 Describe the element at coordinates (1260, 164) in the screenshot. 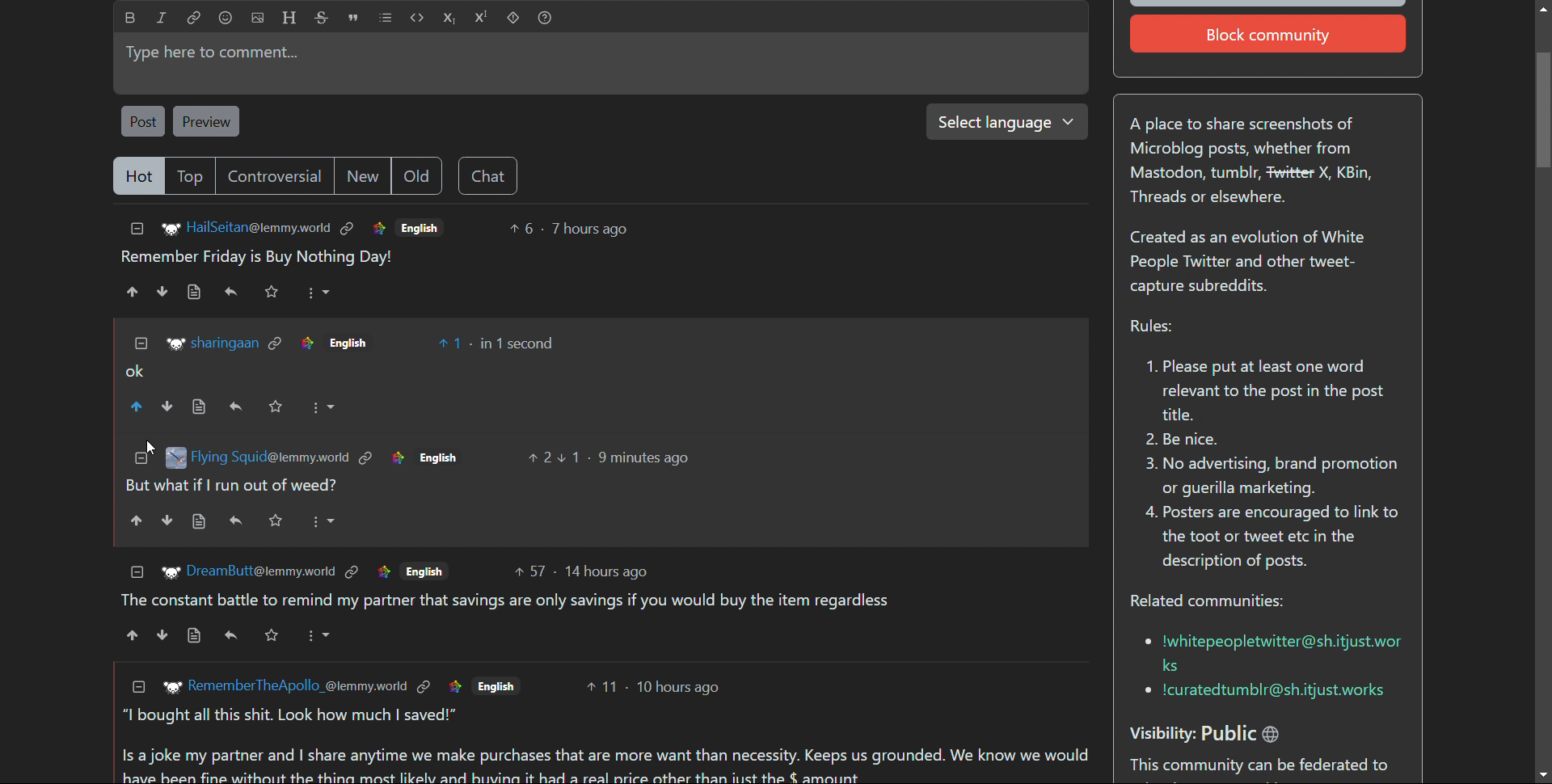

I see `A place to share screenshots of
Microblog posts, whether from
Mastodon, tumblr, Fwitter X, KBin,
Threads or elsewhere.` at that location.